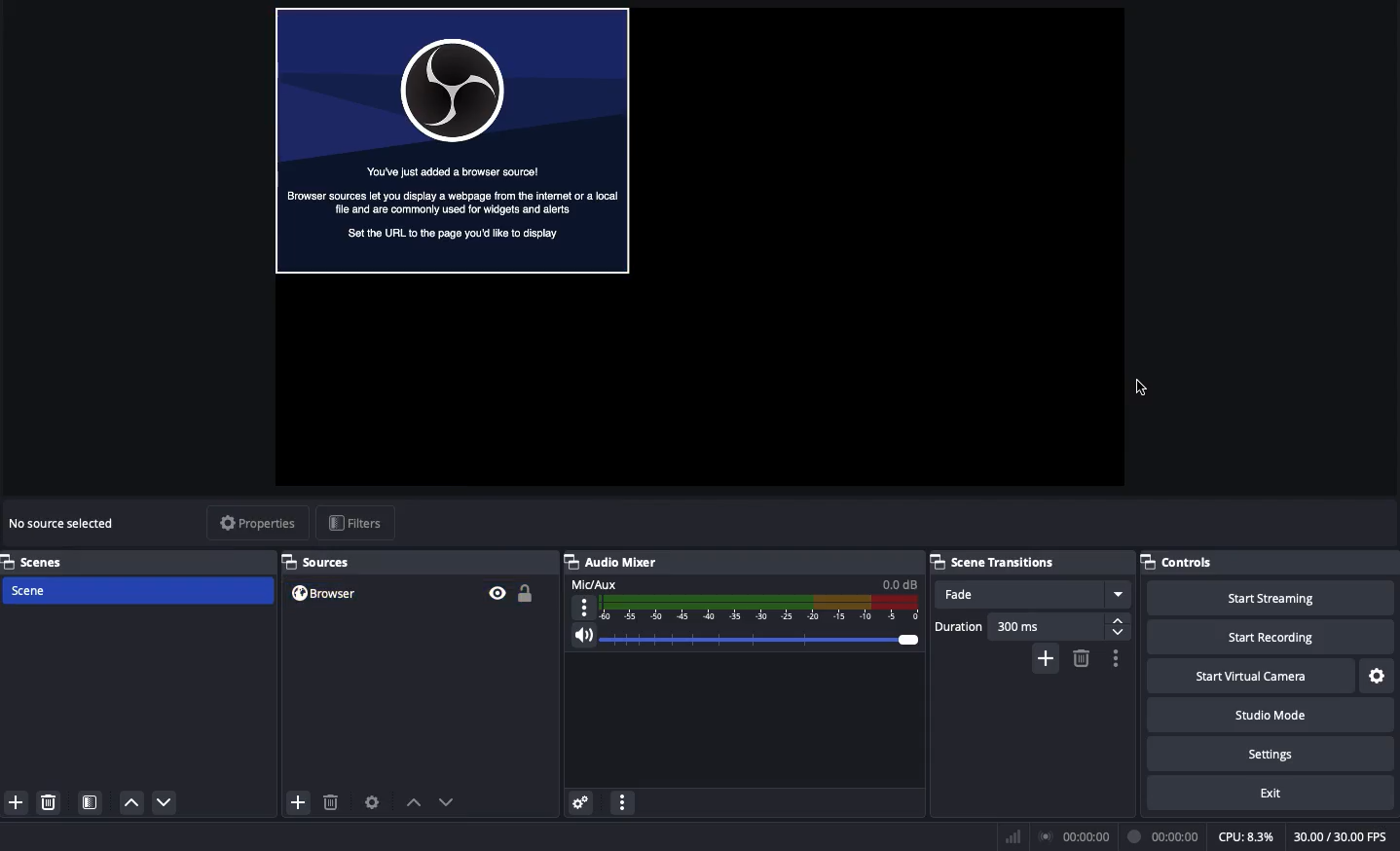 This screenshot has width=1400, height=851. I want to click on Add, so click(1046, 658).